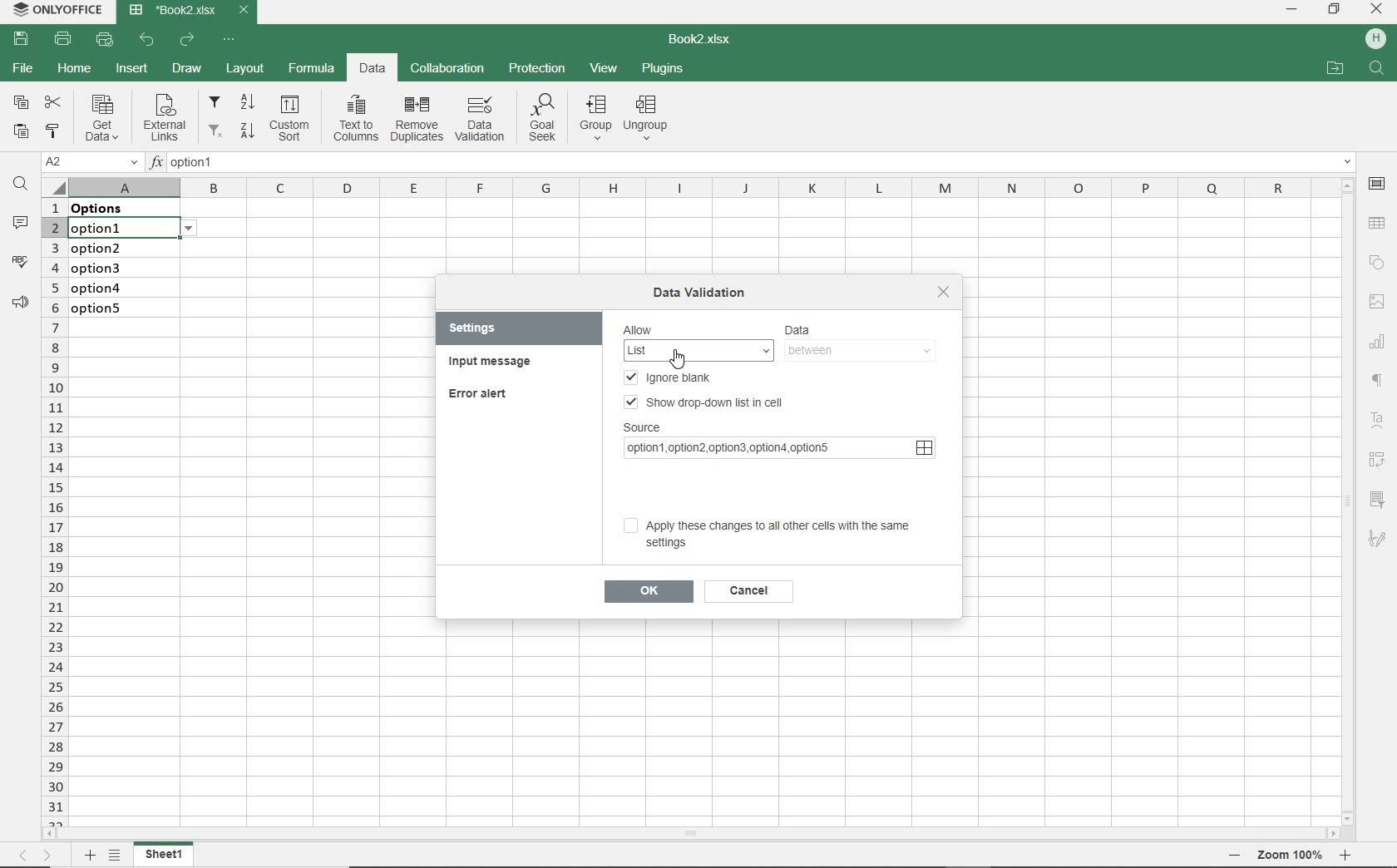 The width and height of the screenshot is (1397, 868). What do you see at coordinates (374, 70) in the screenshot?
I see `DATA` at bounding box center [374, 70].